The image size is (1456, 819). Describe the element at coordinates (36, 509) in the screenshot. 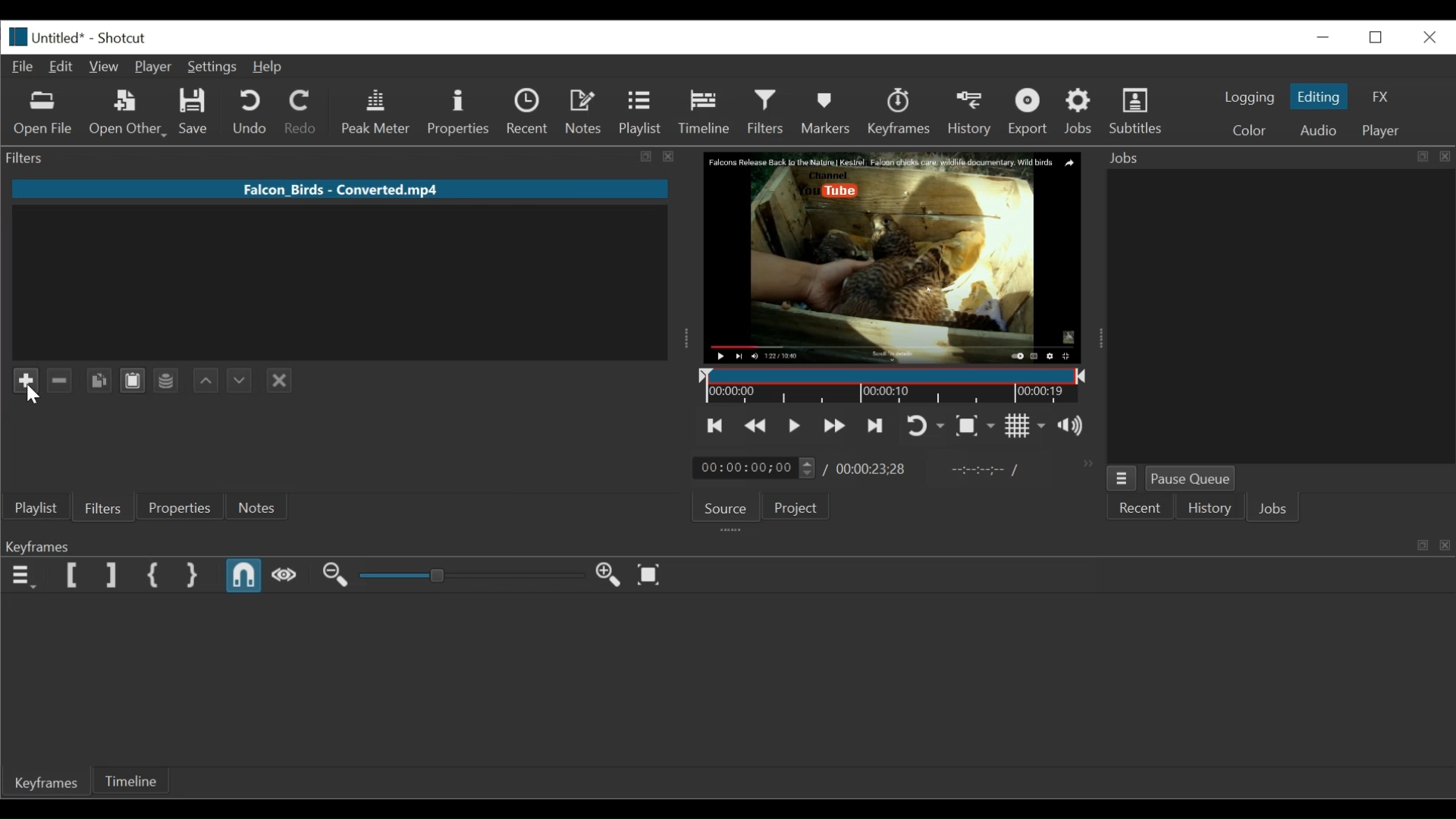

I see `Playlist menu` at that location.